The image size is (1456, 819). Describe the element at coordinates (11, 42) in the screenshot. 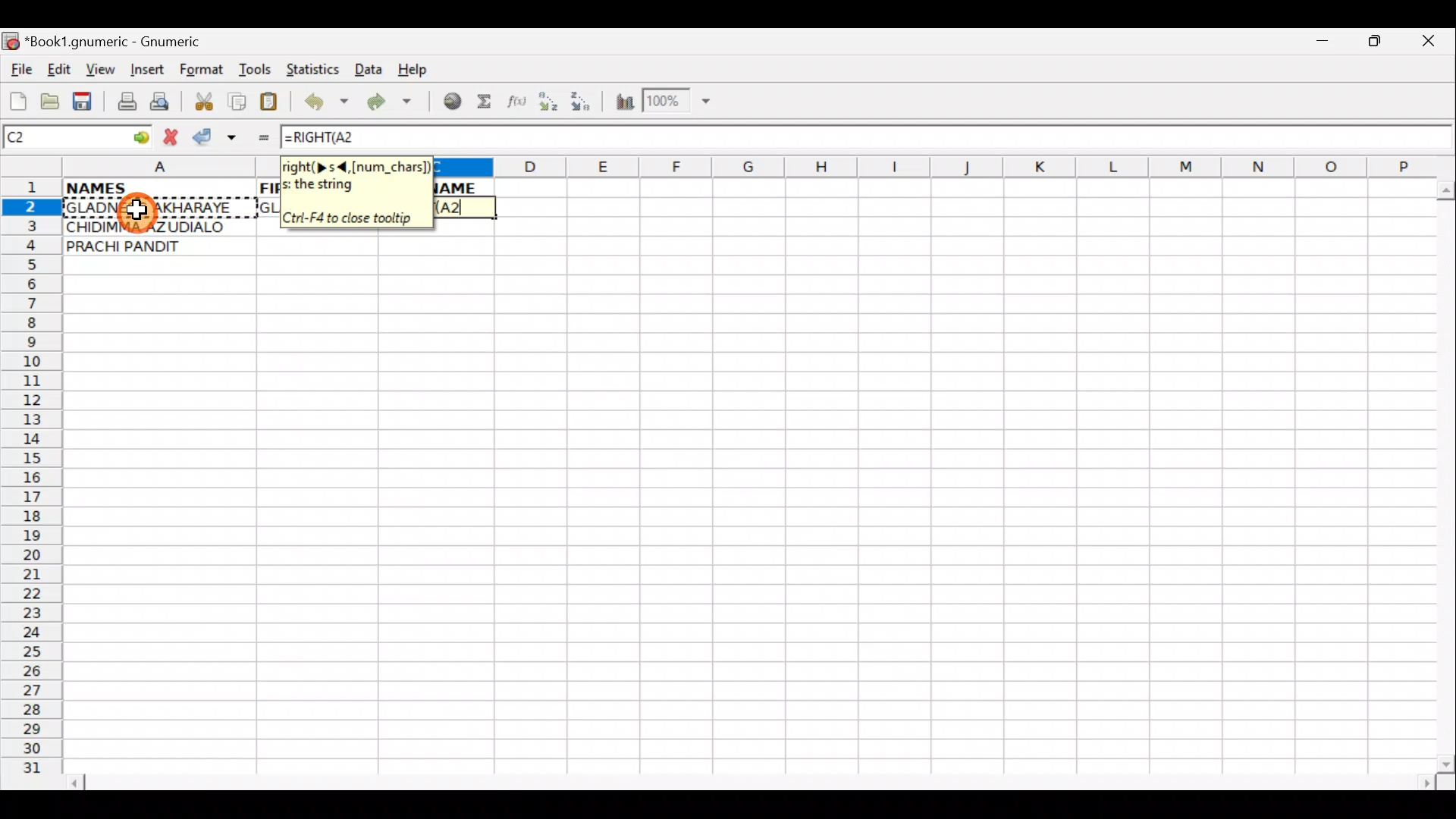

I see `Gnumeric logo` at that location.